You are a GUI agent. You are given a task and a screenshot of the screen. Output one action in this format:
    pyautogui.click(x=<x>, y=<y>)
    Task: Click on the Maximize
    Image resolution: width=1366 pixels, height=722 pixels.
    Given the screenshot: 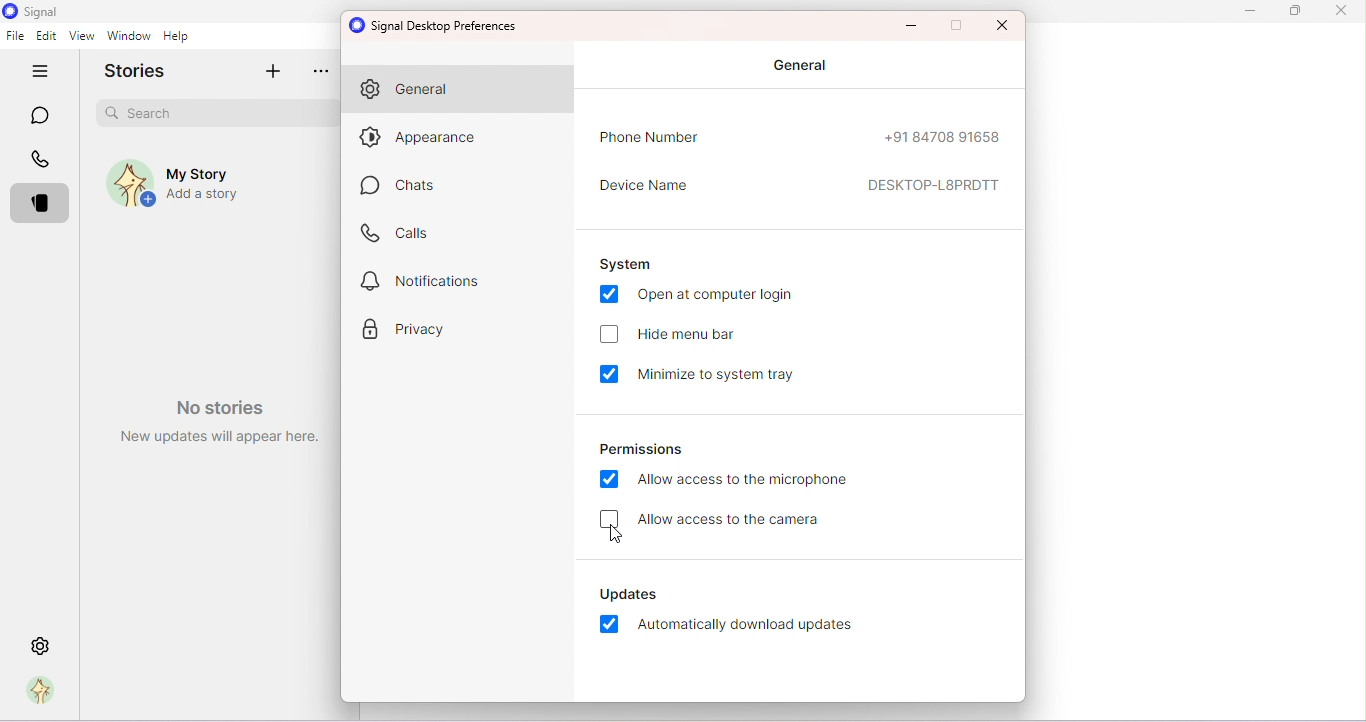 What is the action you would take?
    pyautogui.click(x=958, y=27)
    